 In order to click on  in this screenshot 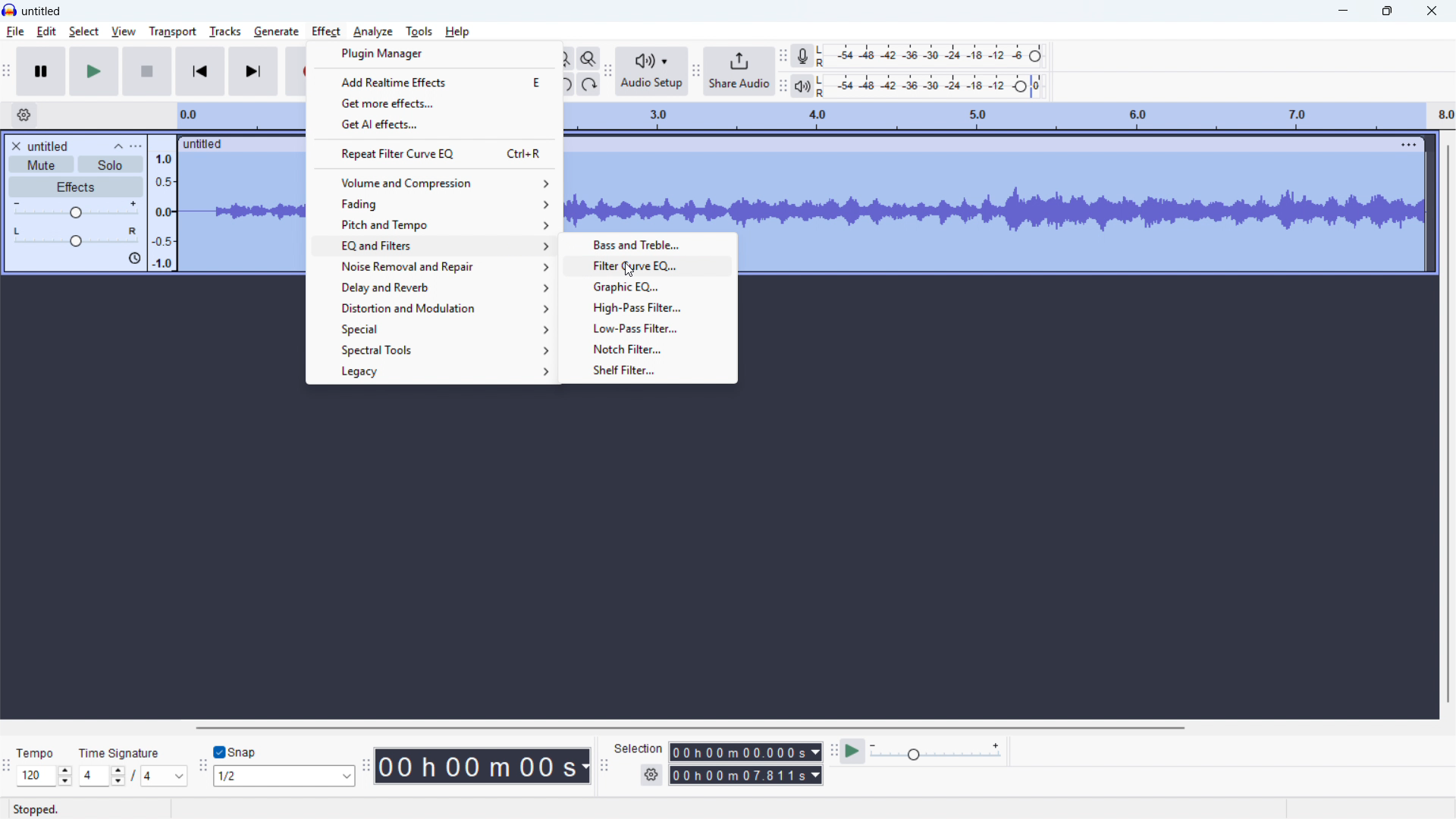, I will do `click(647, 306)`.